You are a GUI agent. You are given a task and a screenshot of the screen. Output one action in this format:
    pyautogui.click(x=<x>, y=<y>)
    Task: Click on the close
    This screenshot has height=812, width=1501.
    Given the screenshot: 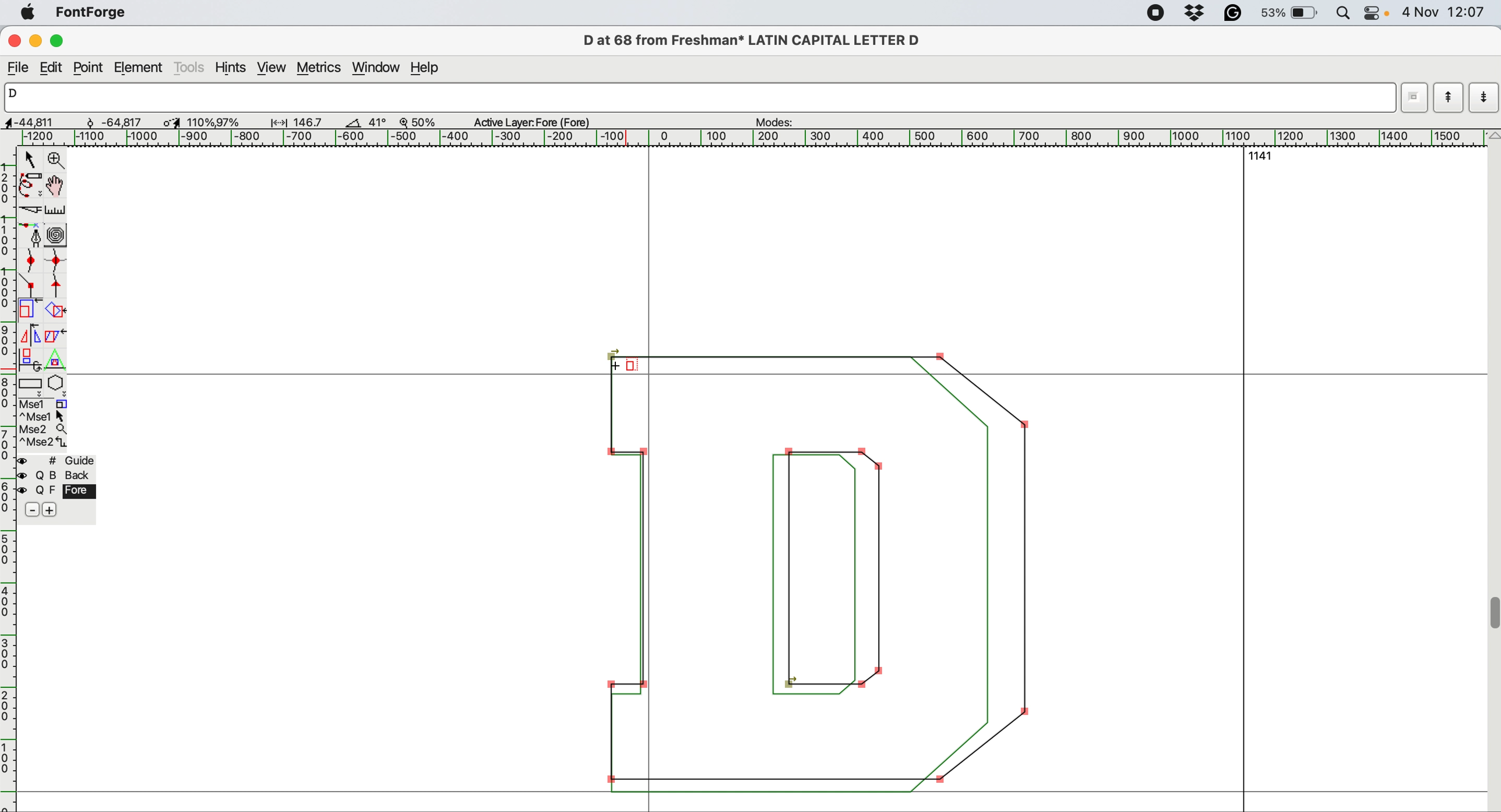 What is the action you would take?
    pyautogui.click(x=13, y=40)
    